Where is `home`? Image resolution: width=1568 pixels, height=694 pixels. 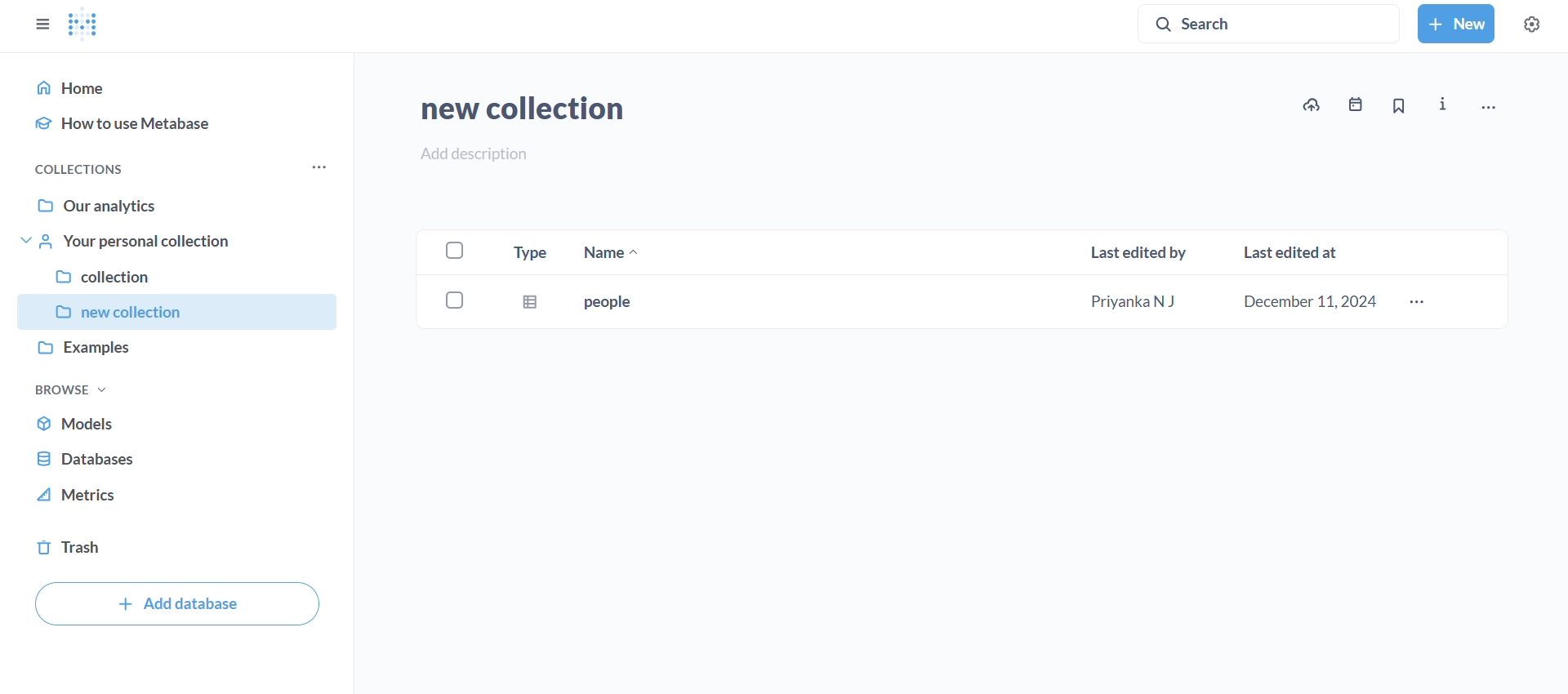
home is located at coordinates (183, 87).